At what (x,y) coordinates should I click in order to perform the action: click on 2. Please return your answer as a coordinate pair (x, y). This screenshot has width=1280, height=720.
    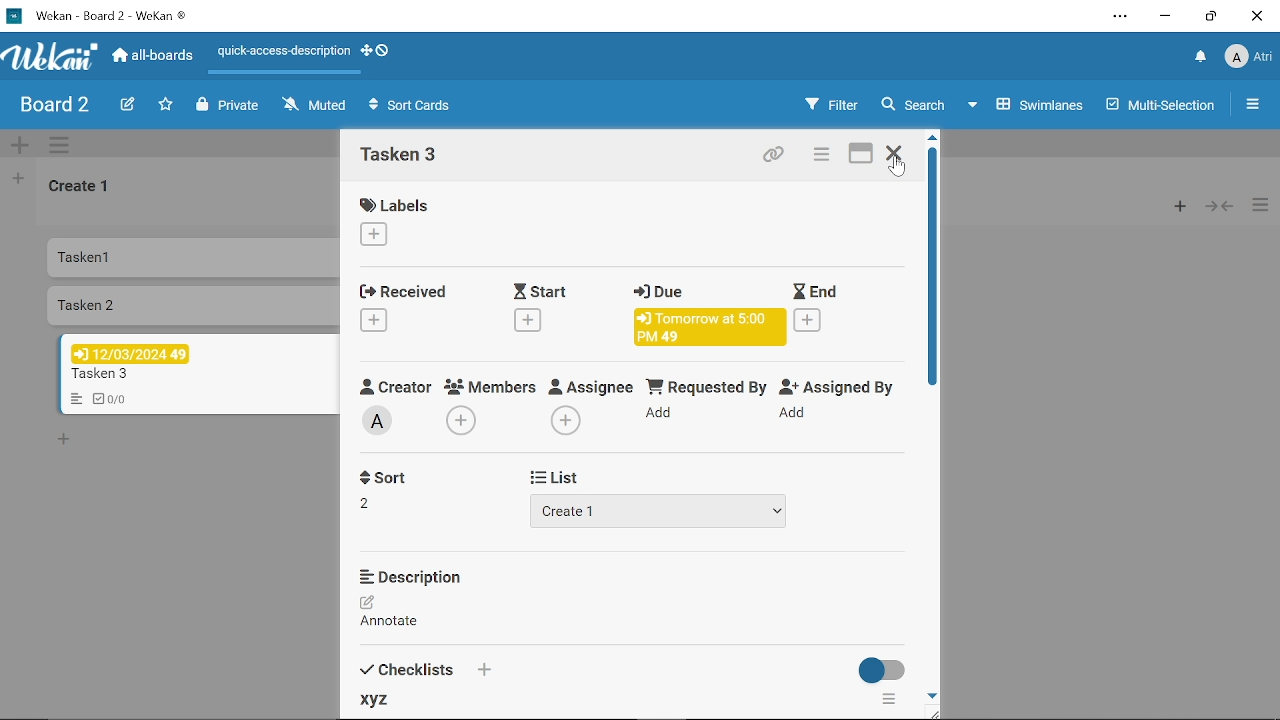
    Looking at the image, I should click on (370, 502).